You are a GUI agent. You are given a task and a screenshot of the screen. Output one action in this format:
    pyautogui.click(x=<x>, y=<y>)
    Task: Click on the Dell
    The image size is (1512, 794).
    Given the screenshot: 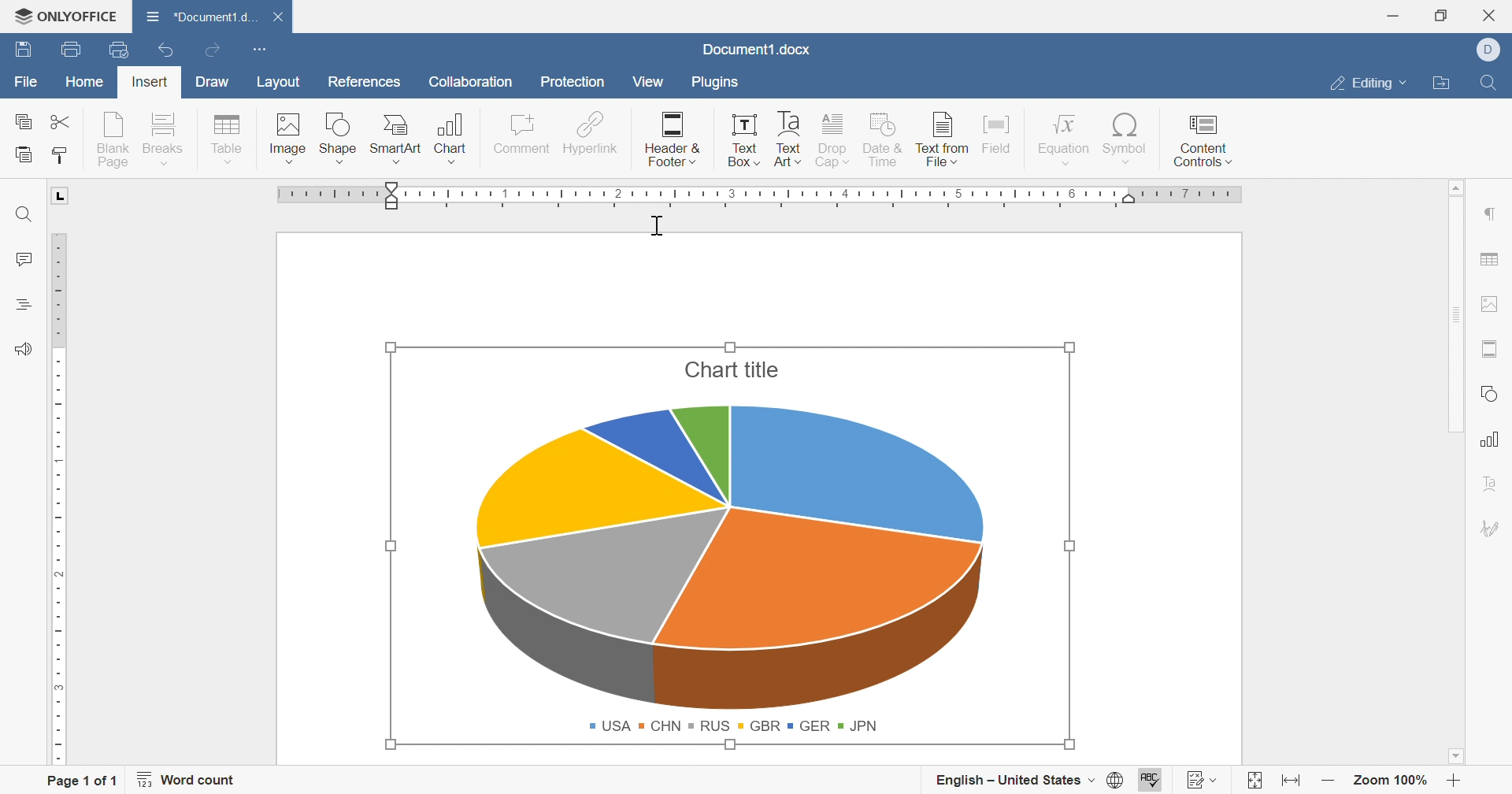 What is the action you would take?
    pyautogui.click(x=1488, y=48)
    